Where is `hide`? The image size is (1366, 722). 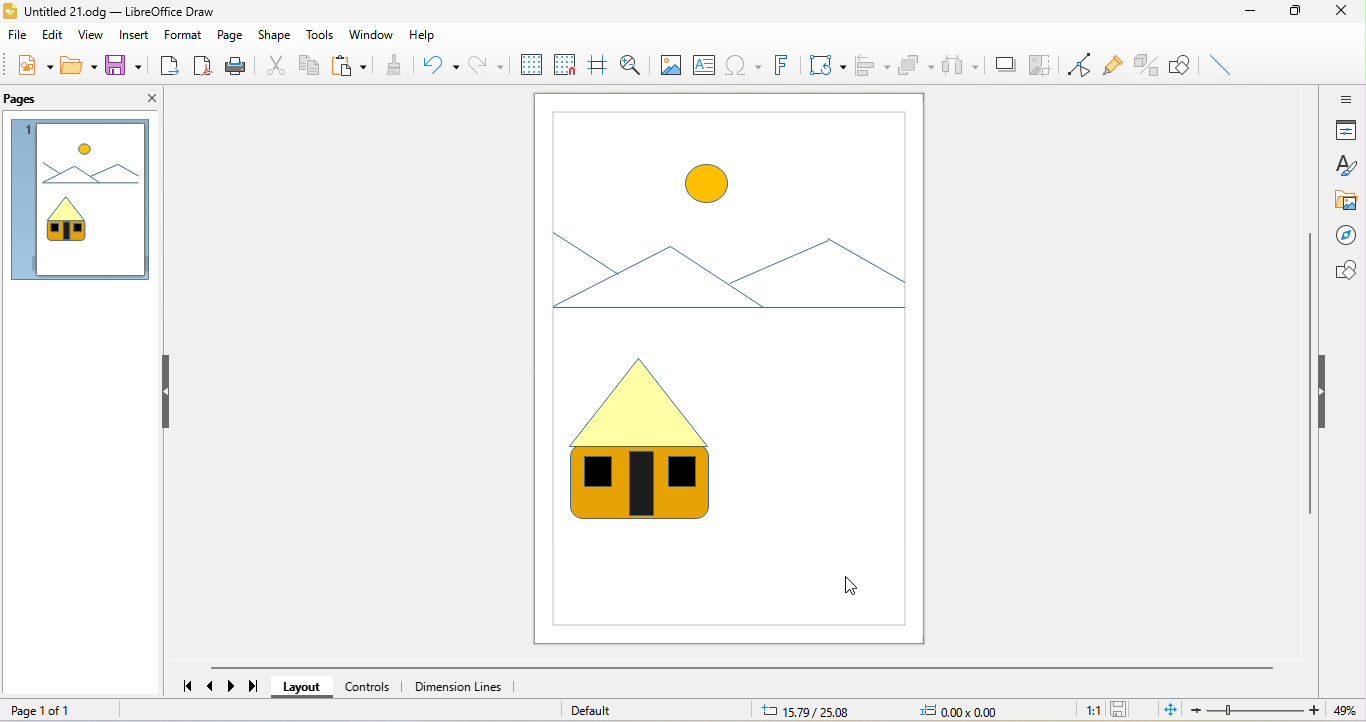
hide is located at coordinates (1327, 395).